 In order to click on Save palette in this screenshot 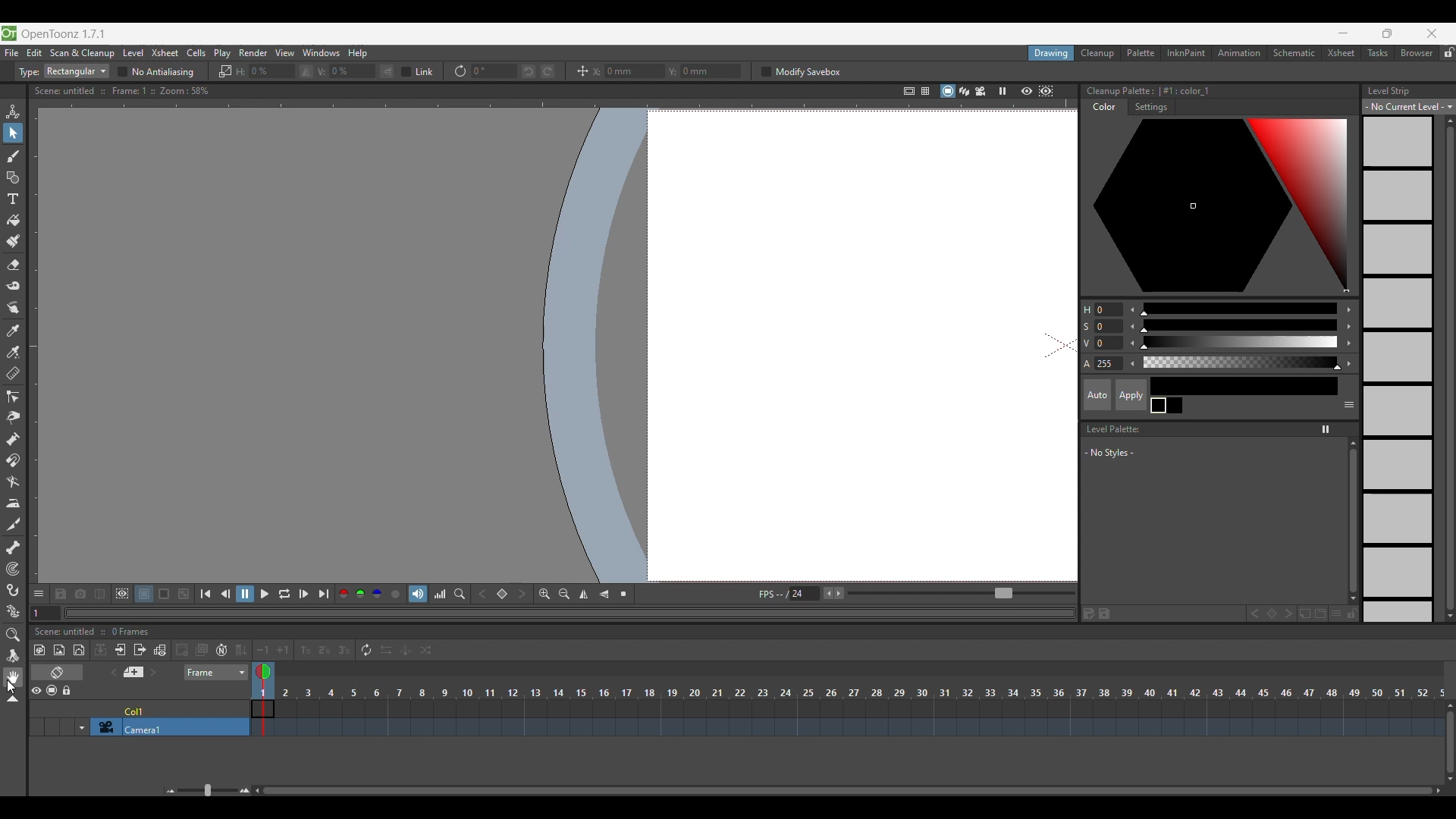, I will do `click(1104, 613)`.